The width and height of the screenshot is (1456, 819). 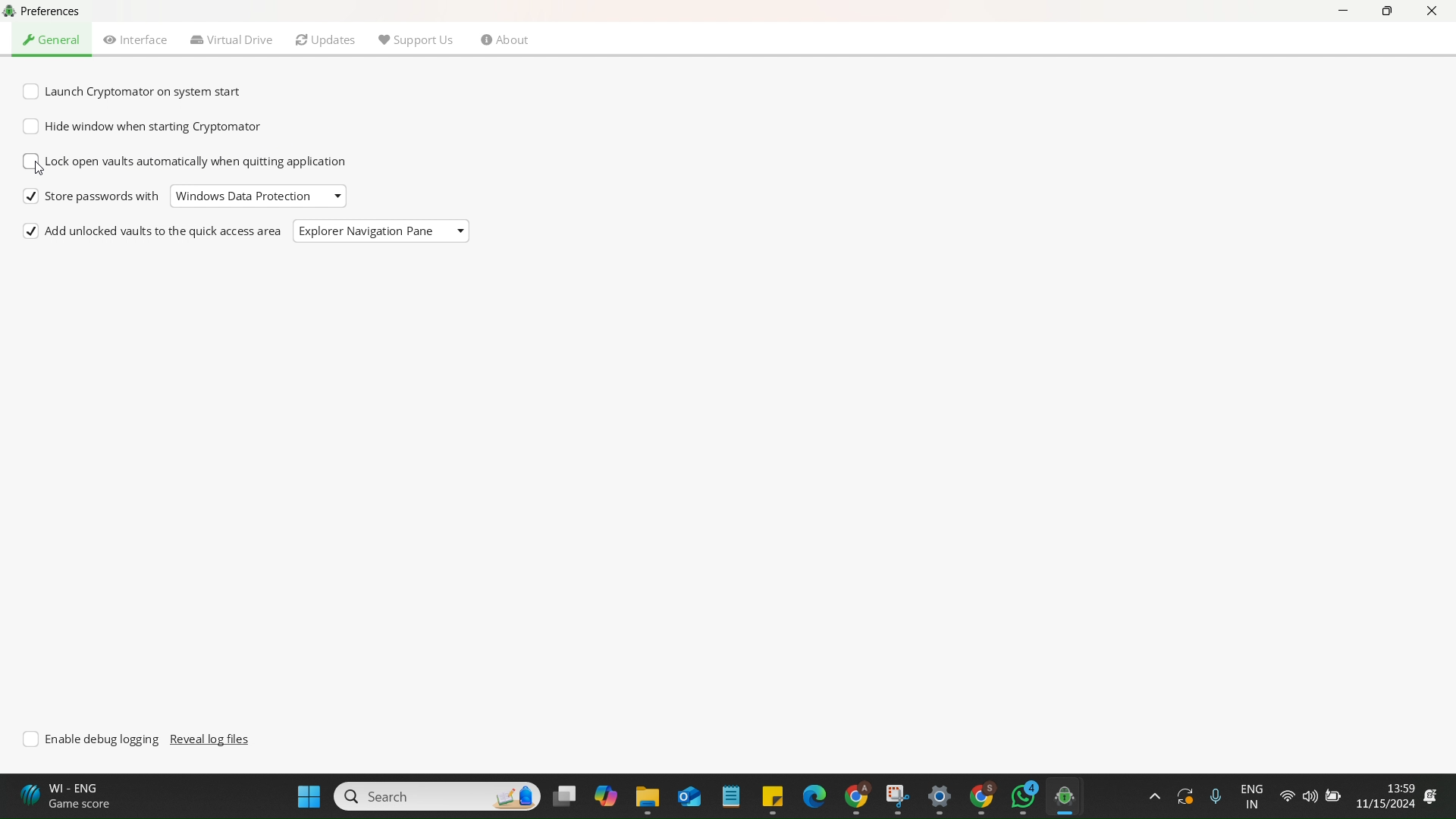 I want to click on Virtual Drive, so click(x=232, y=39).